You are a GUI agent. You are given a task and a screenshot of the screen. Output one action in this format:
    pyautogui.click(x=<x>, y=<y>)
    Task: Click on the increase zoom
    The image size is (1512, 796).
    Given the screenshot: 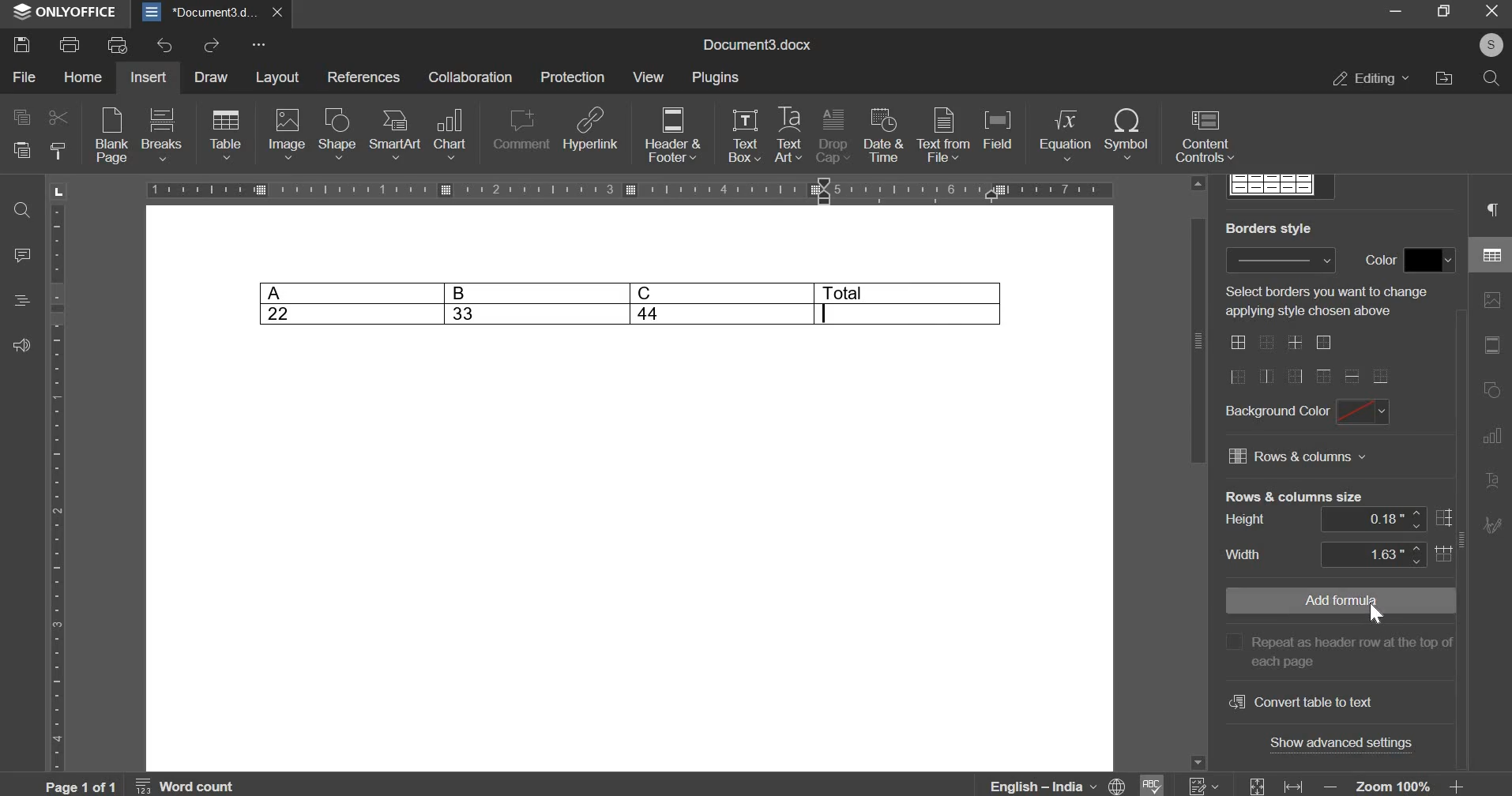 What is the action you would take?
    pyautogui.click(x=1456, y=785)
    